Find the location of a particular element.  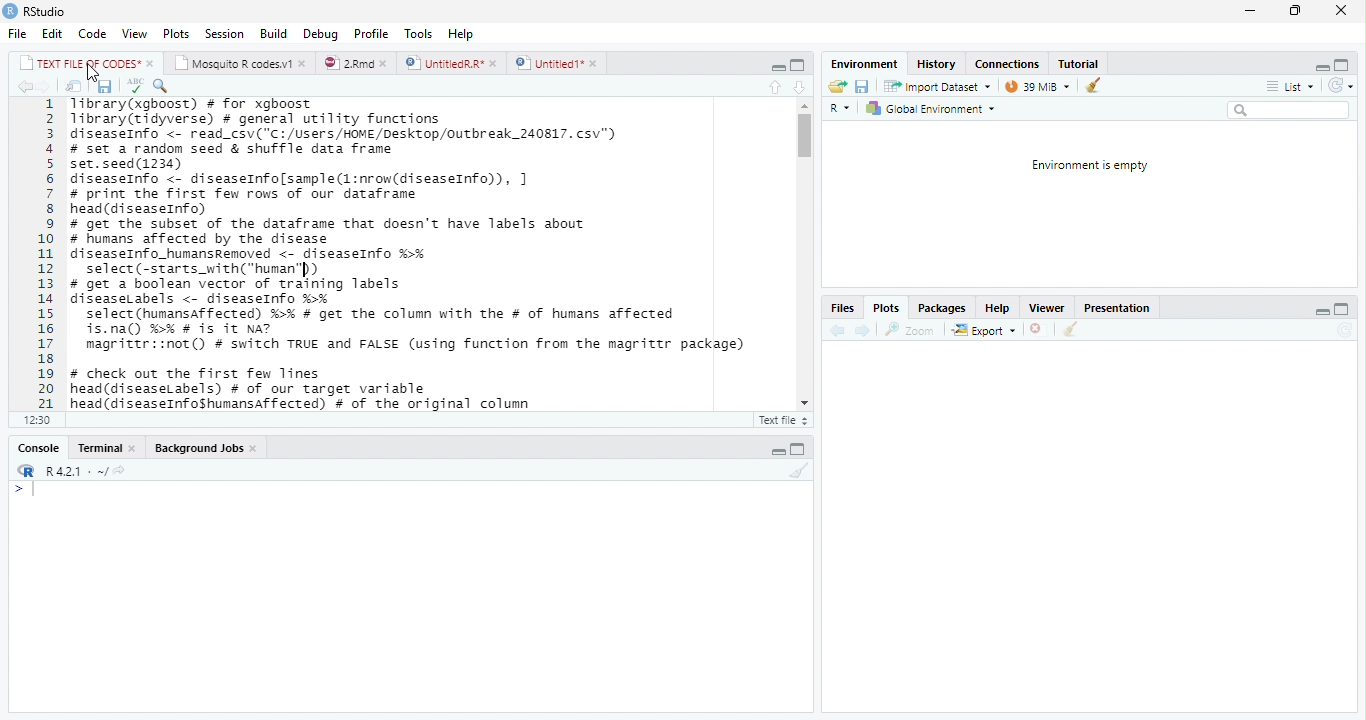

Previous is located at coordinates (835, 329).